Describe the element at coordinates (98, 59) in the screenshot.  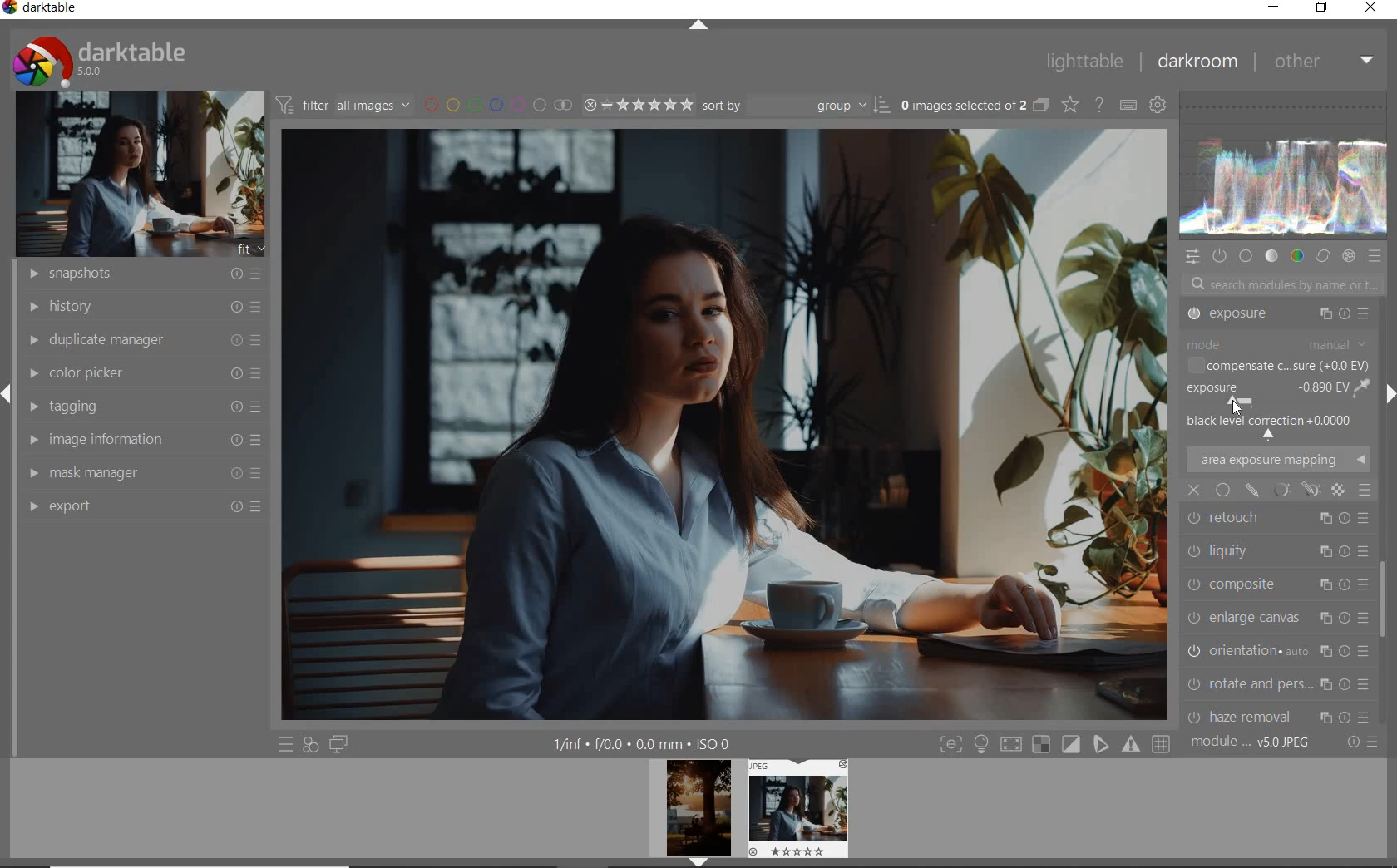
I see `SYSTEM LOGO & NAME` at that location.